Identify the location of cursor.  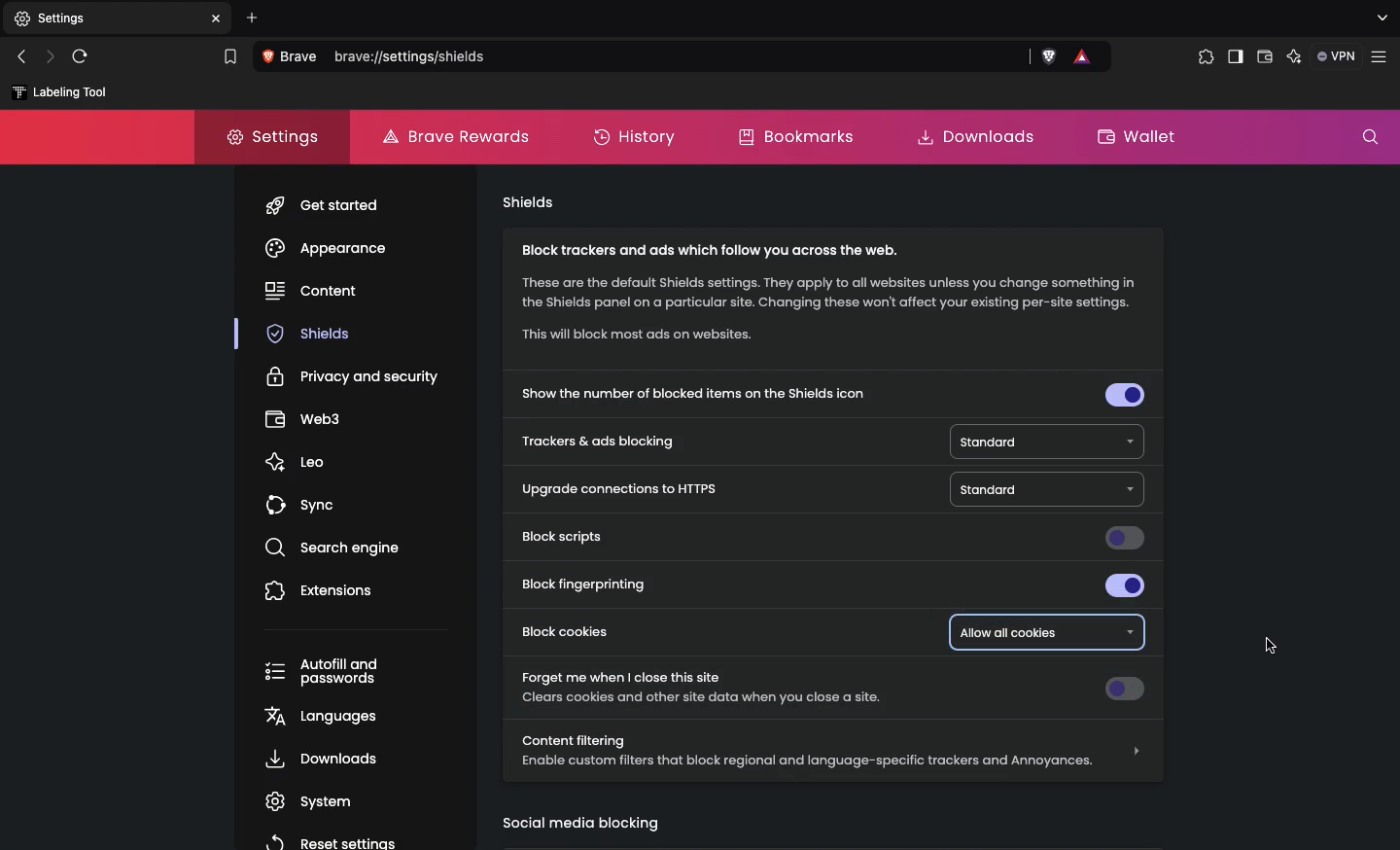
(1270, 647).